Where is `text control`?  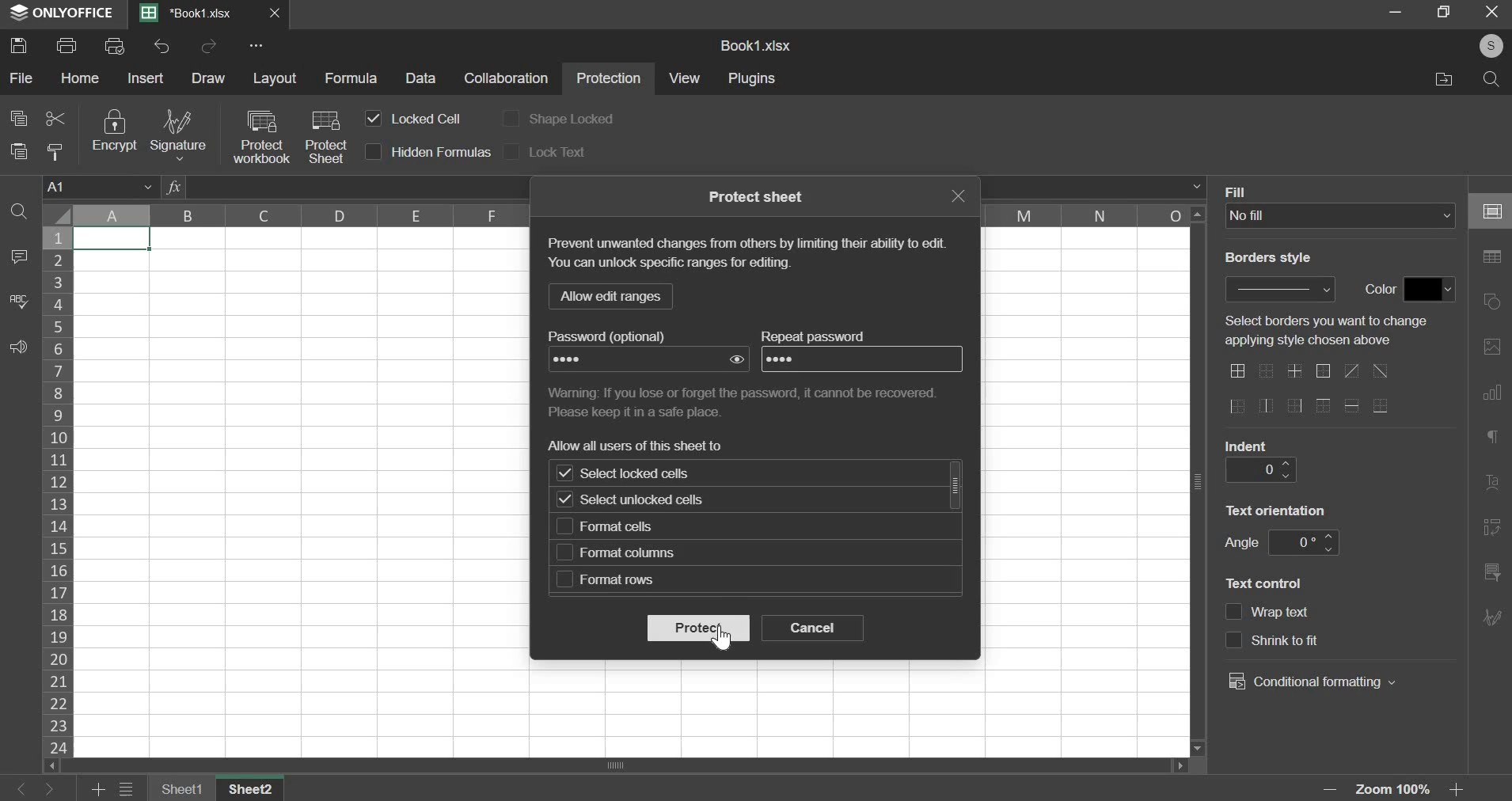
text control is located at coordinates (1267, 582).